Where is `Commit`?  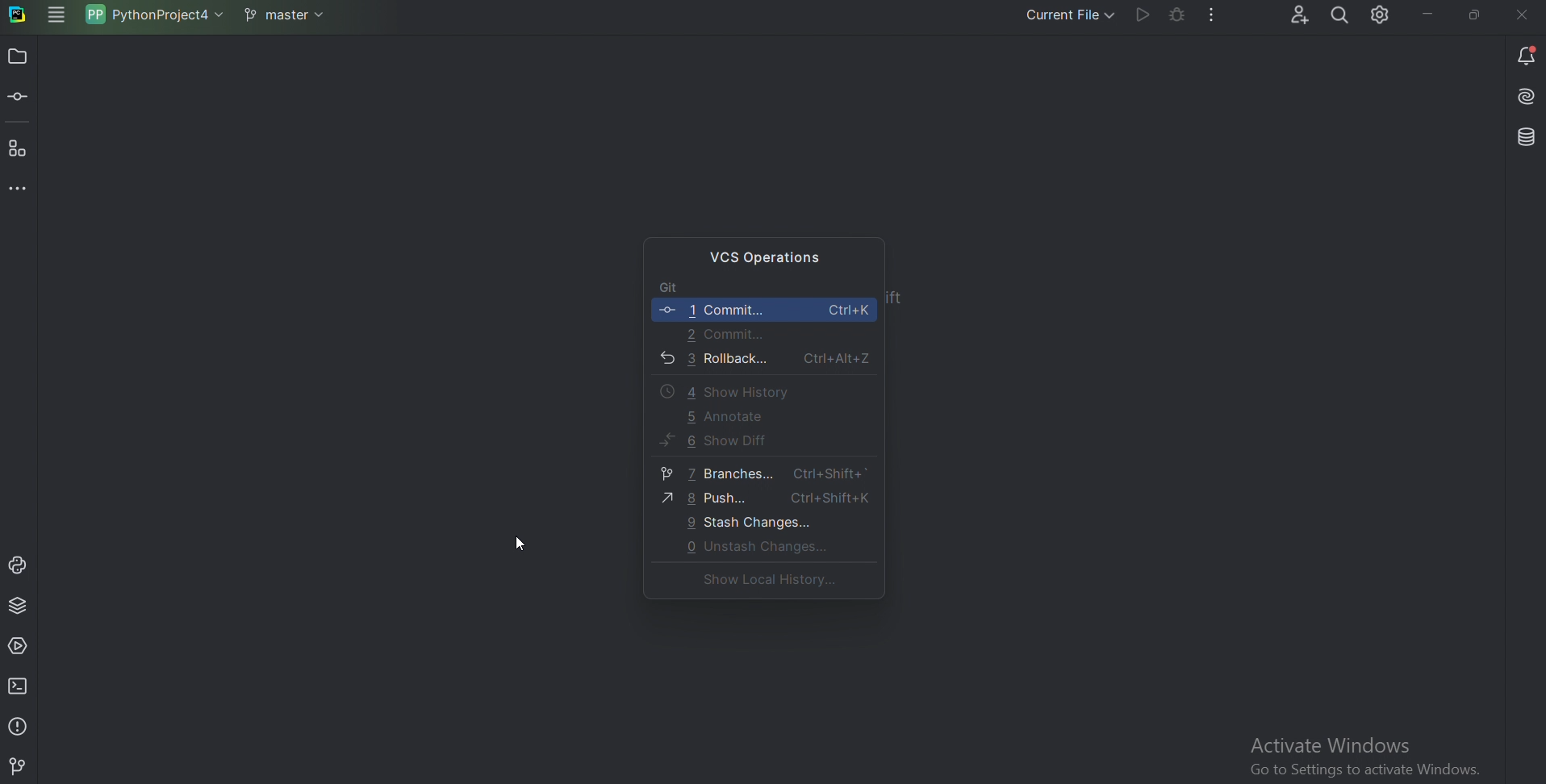 Commit is located at coordinates (762, 310).